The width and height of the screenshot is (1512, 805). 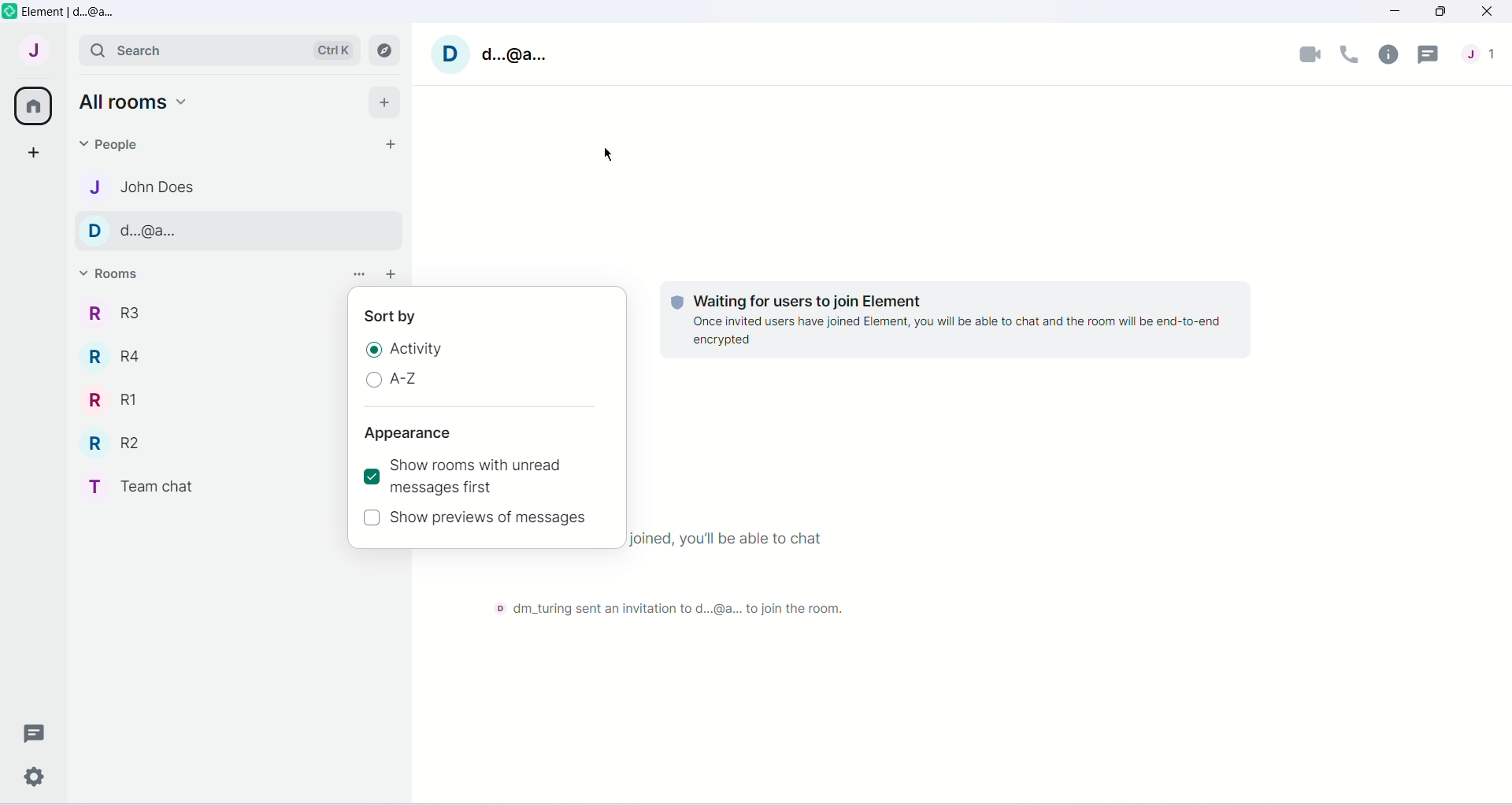 What do you see at coordinates (1440, 13) in the screenshot?
I see `Maximize` at bounding box center [1440, 13].